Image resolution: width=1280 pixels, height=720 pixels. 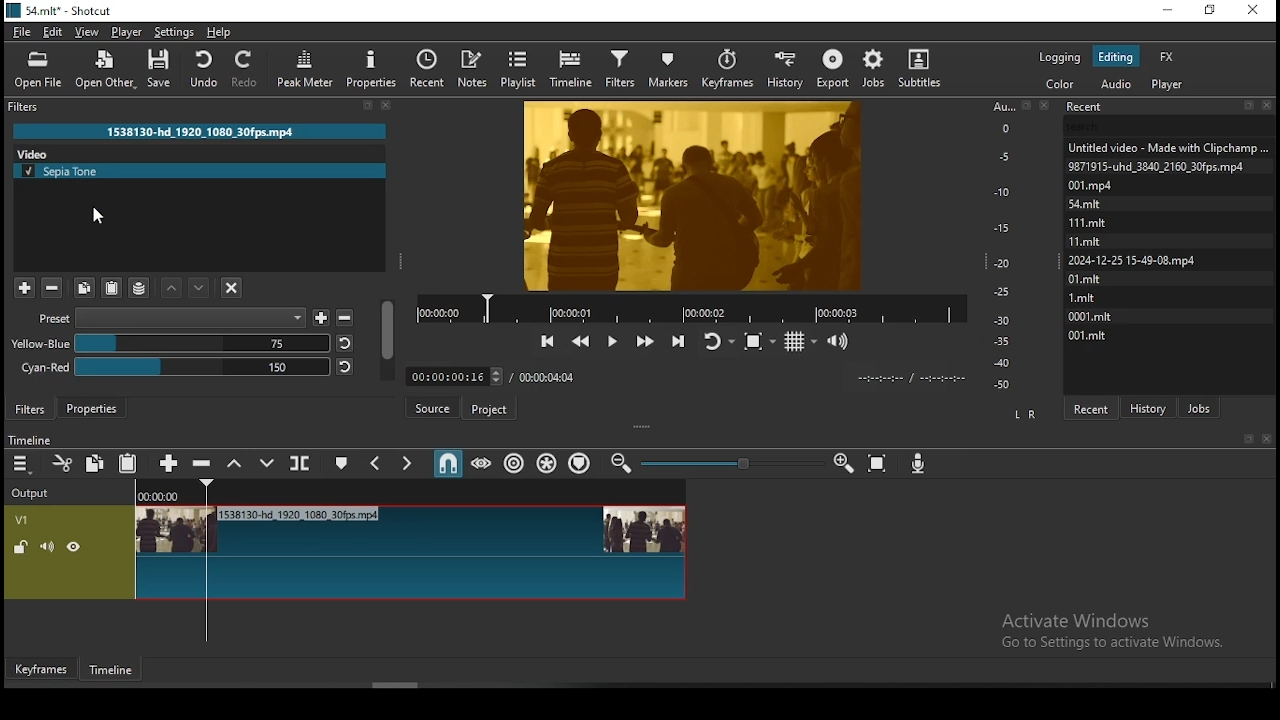 I want to click on record audio, so click(x=919, y=462).